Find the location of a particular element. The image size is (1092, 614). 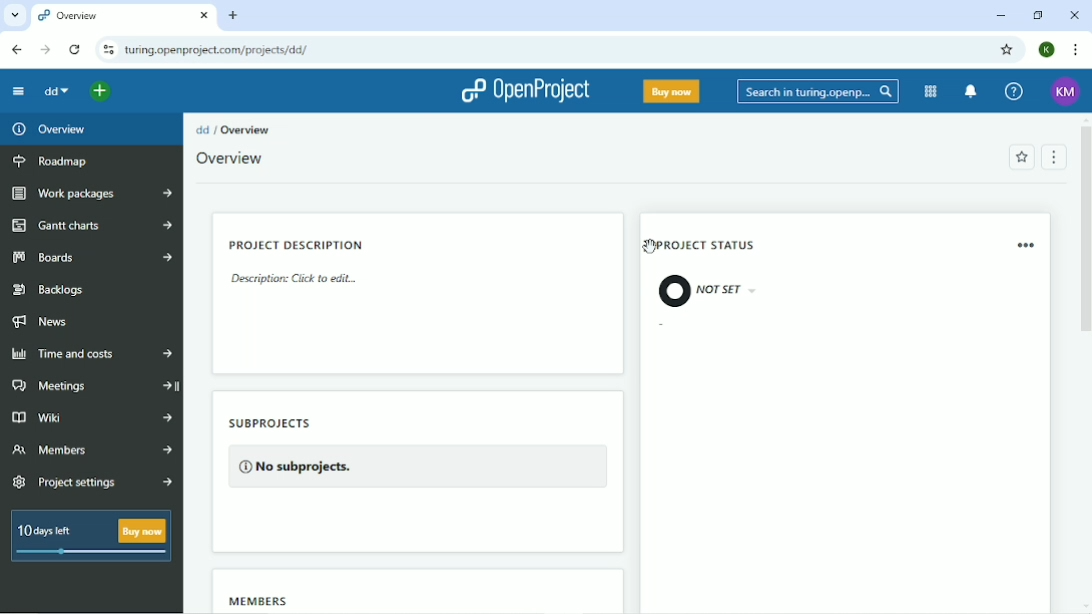

Subprojects is located at coordinates (416, 454).